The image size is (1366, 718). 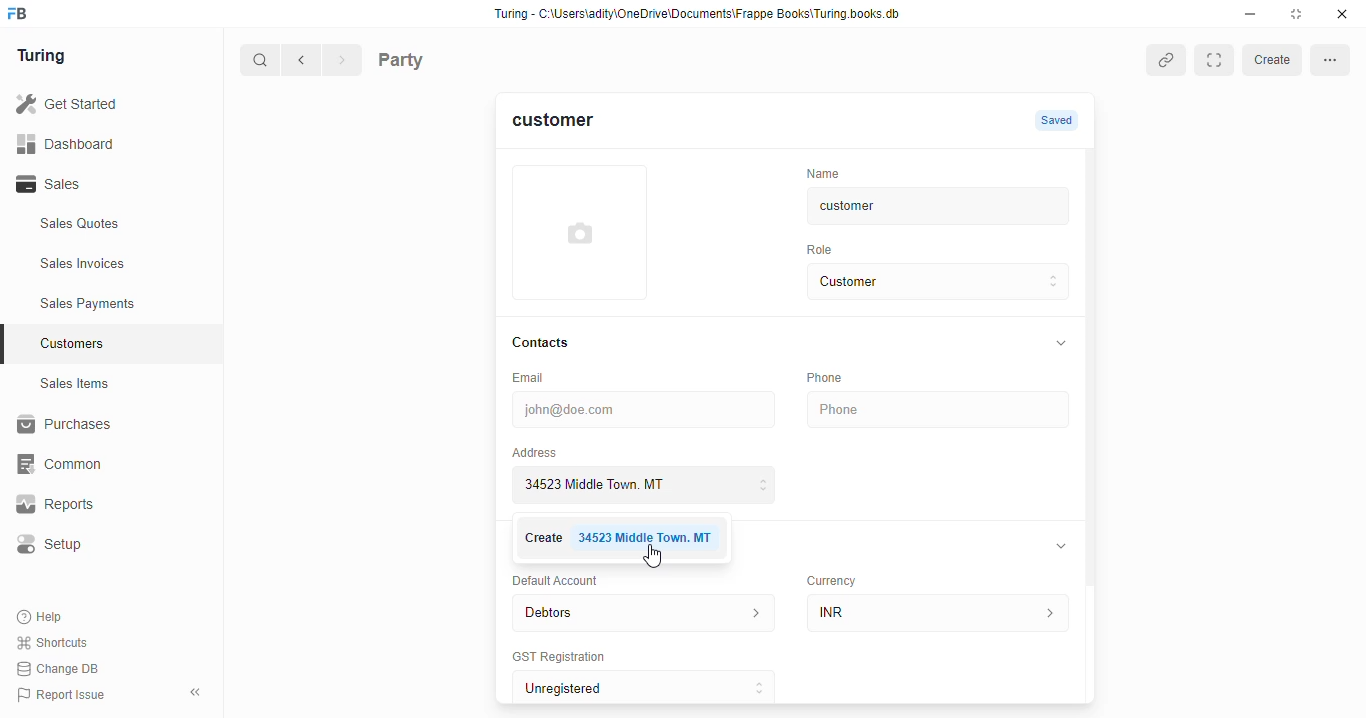 What do you see at coordinates (23, 15) in the screenshot?
I see `frappebooks logo` at bounding box center [23, 15].